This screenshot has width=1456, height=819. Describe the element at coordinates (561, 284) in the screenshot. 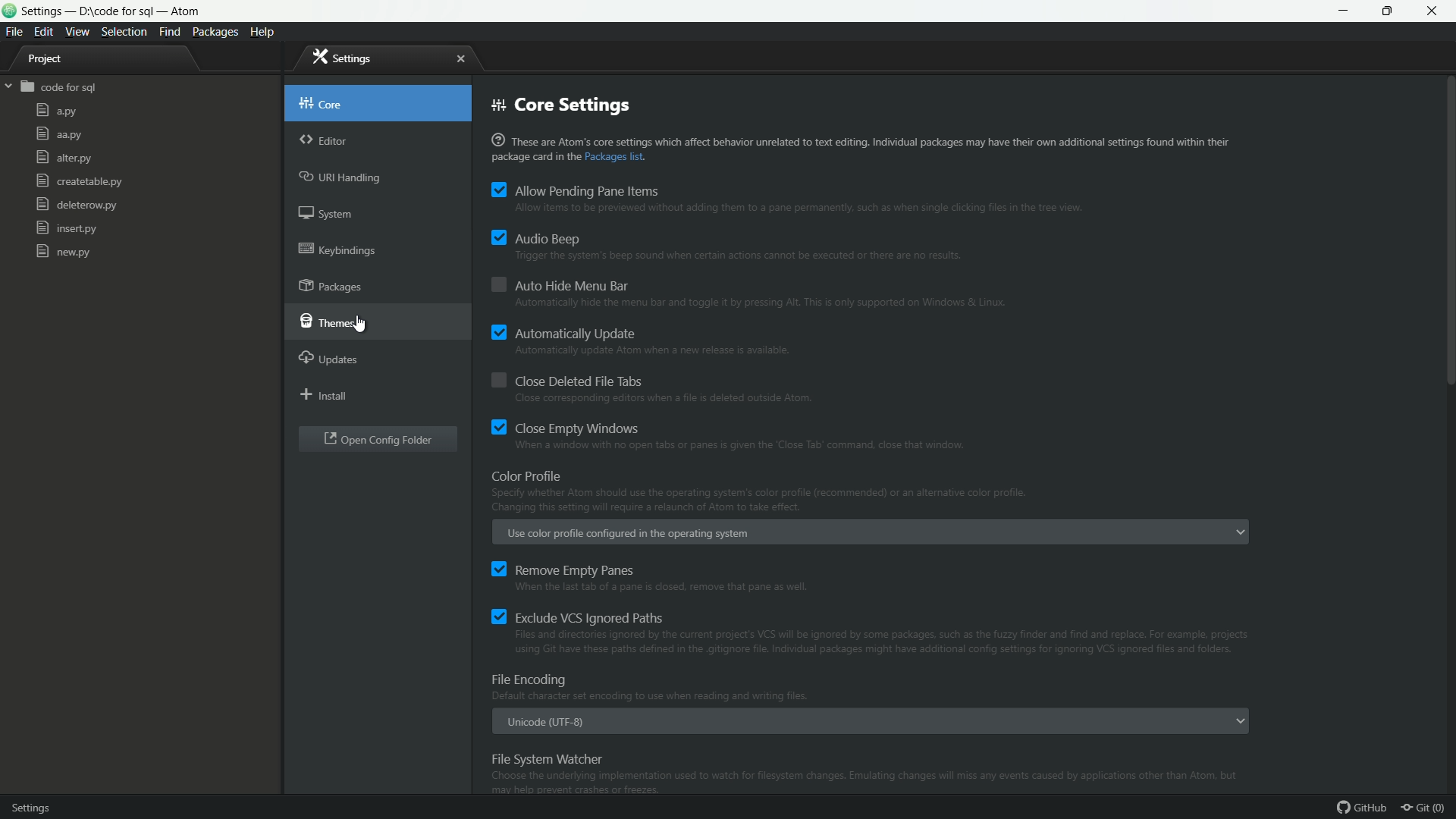

I see `auto hide menu bar` at that location.